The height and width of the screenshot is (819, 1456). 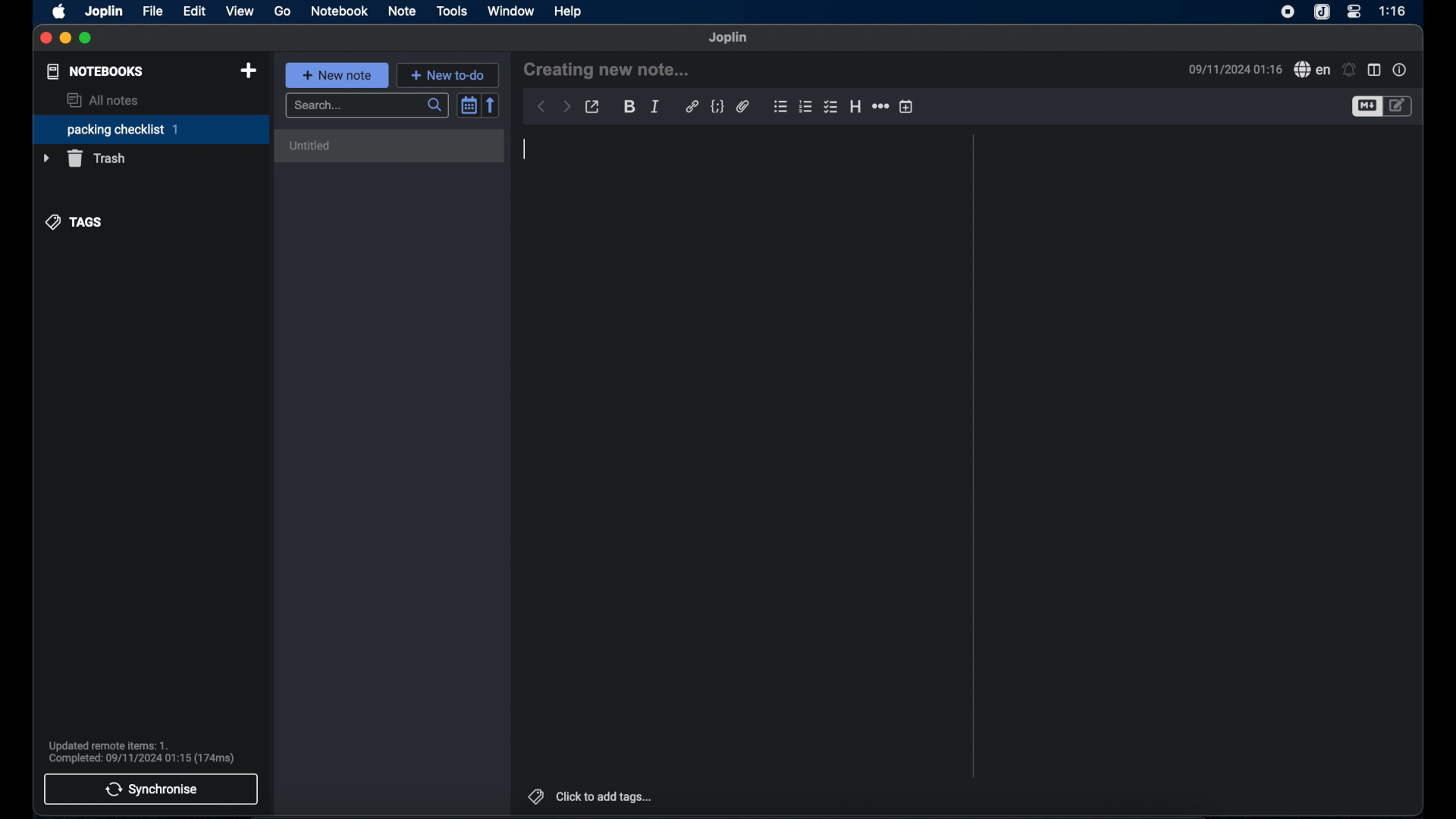 What do you see at coordinates (240, 11) in the screenshot?
I see `view` at bounding box center [240, 11].